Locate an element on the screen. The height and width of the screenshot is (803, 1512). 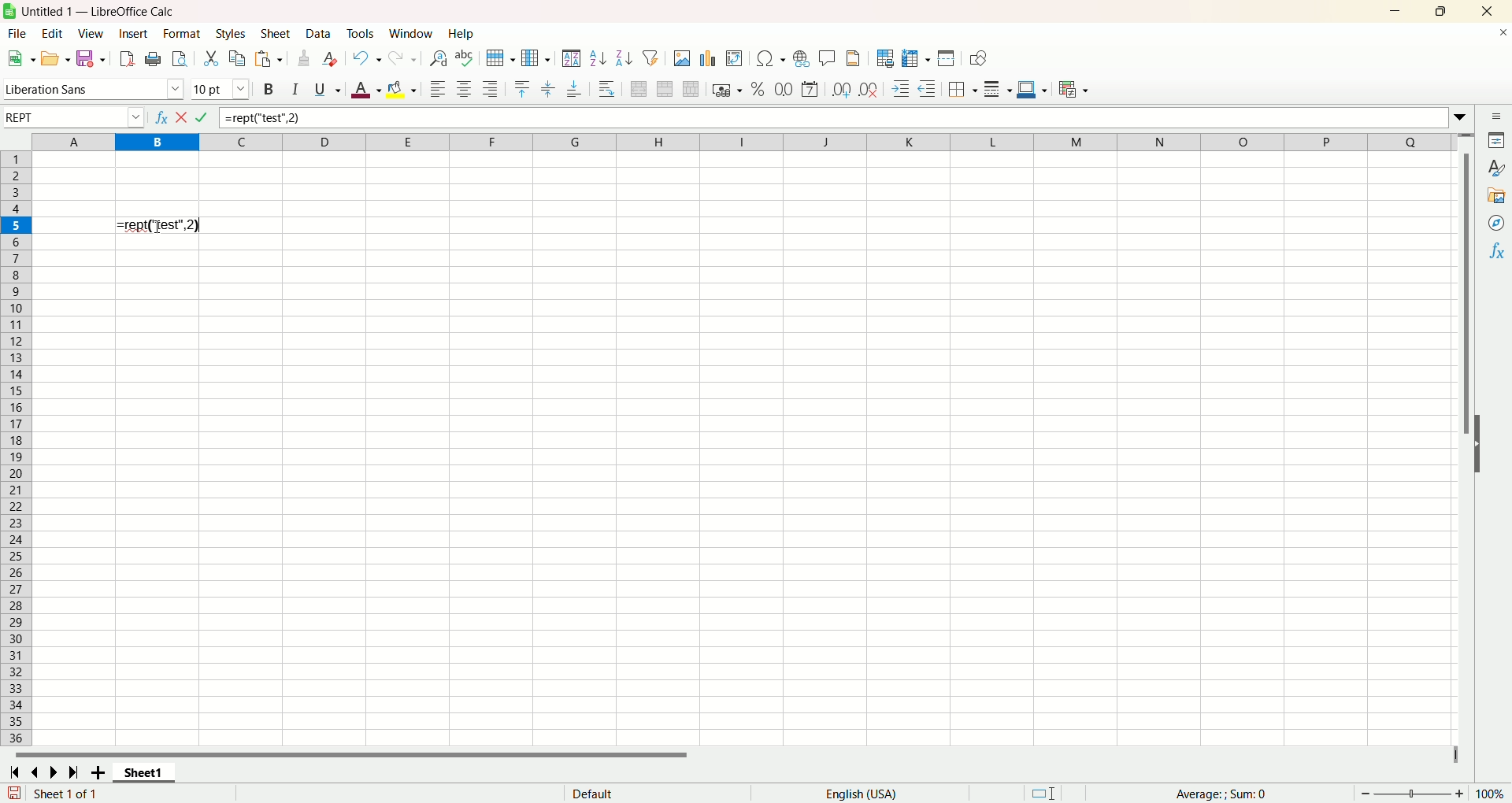
insert chart is located at coordinates (711, 57).